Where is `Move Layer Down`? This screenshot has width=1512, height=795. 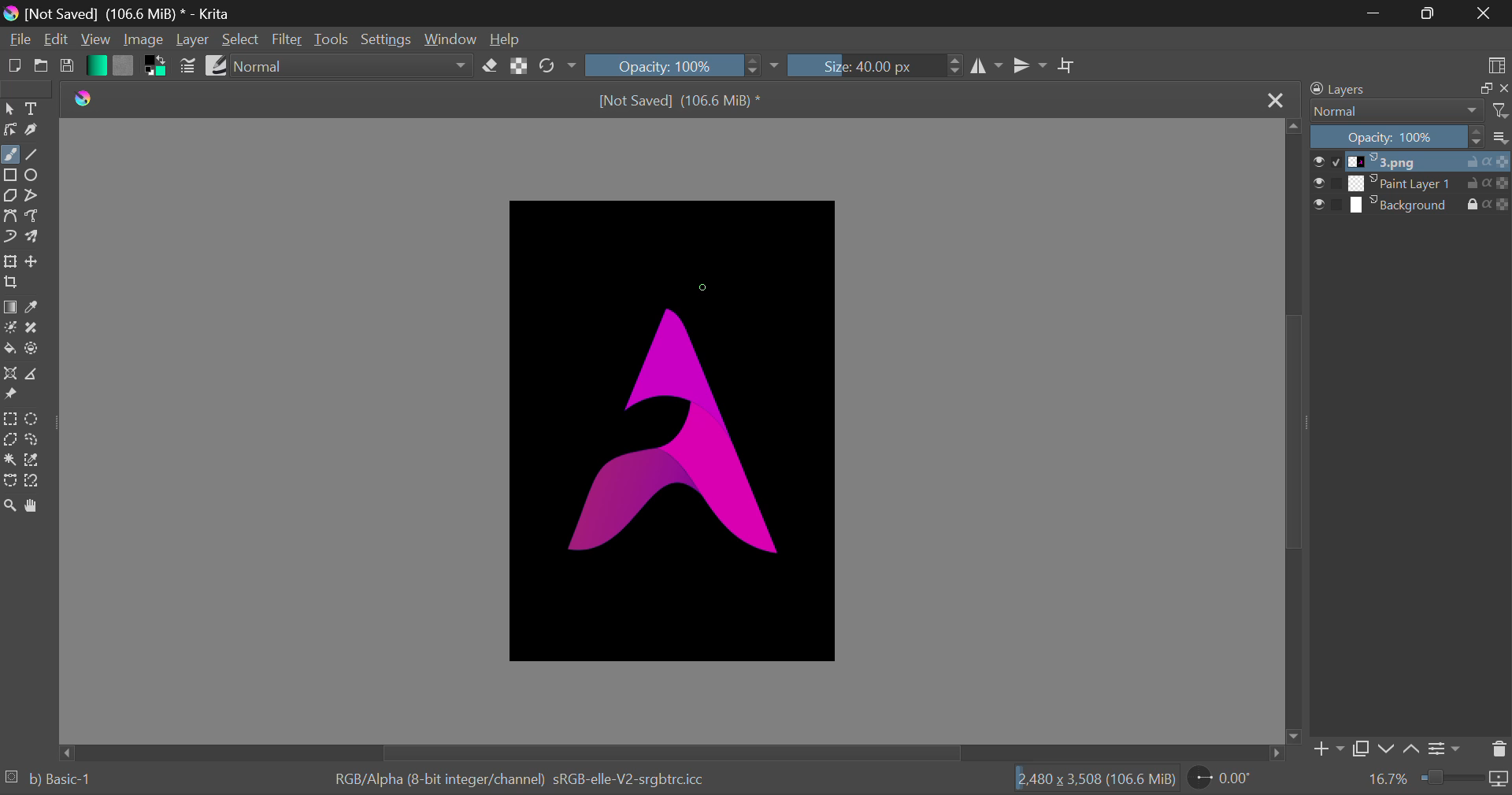 Move Layer Down is located at coordinates (1389, 748).